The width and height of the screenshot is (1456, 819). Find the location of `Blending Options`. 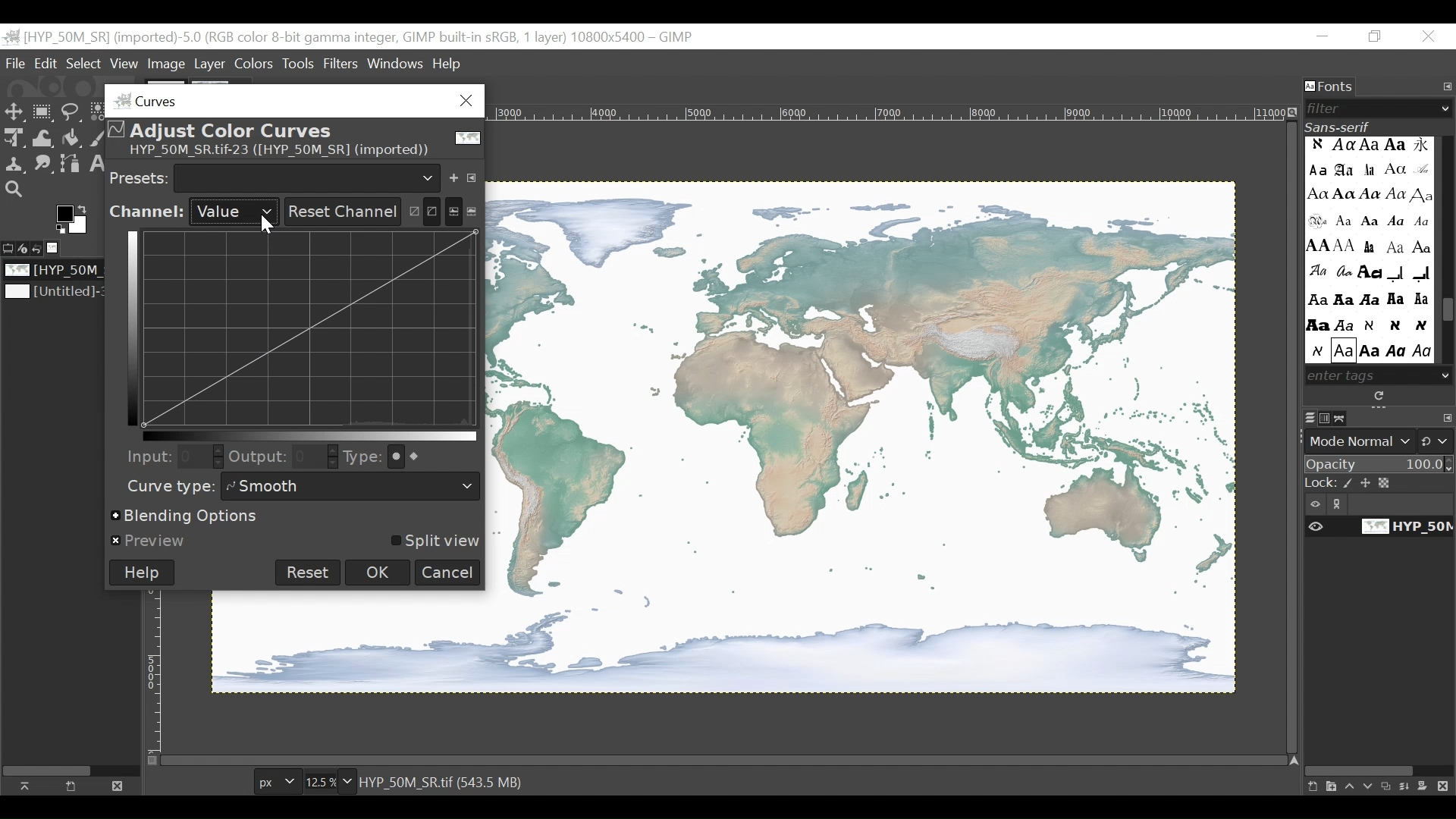

Blending Options is located at coordinates (187, 517).